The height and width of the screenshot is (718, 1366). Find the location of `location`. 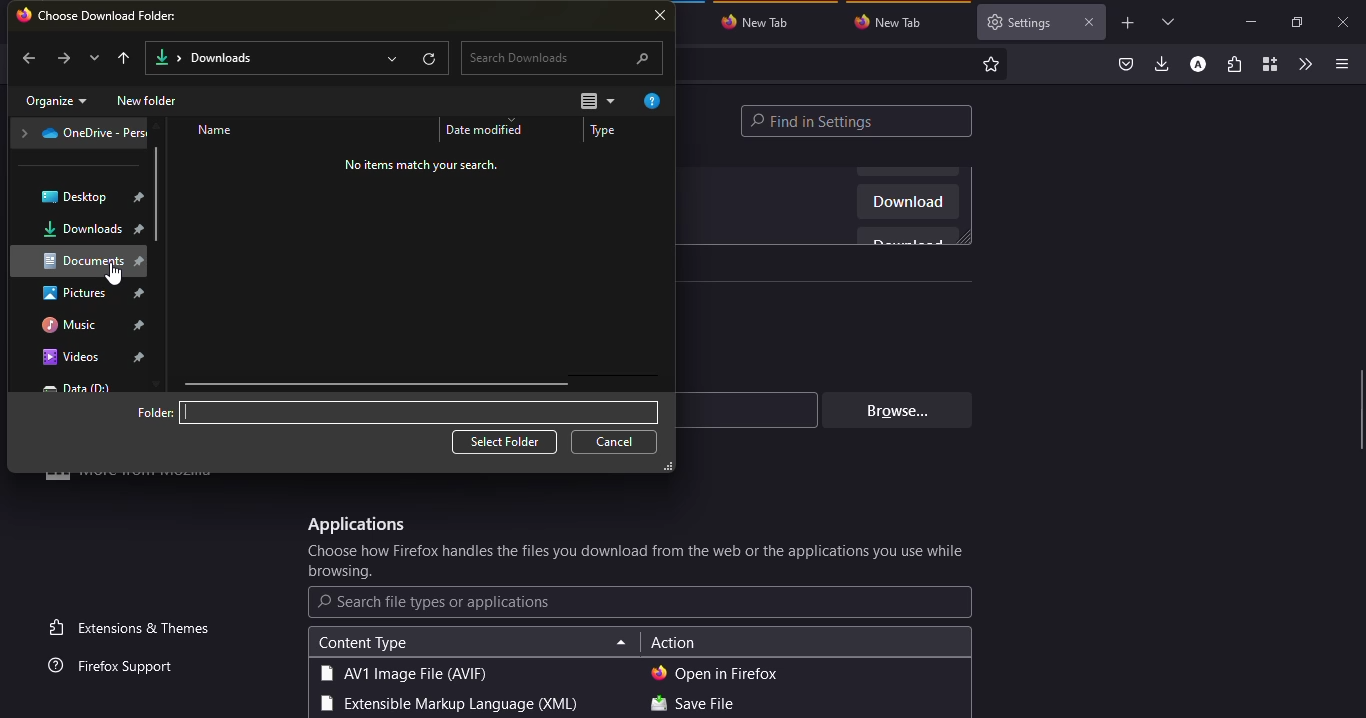

location is located at coordinates (258, 413).